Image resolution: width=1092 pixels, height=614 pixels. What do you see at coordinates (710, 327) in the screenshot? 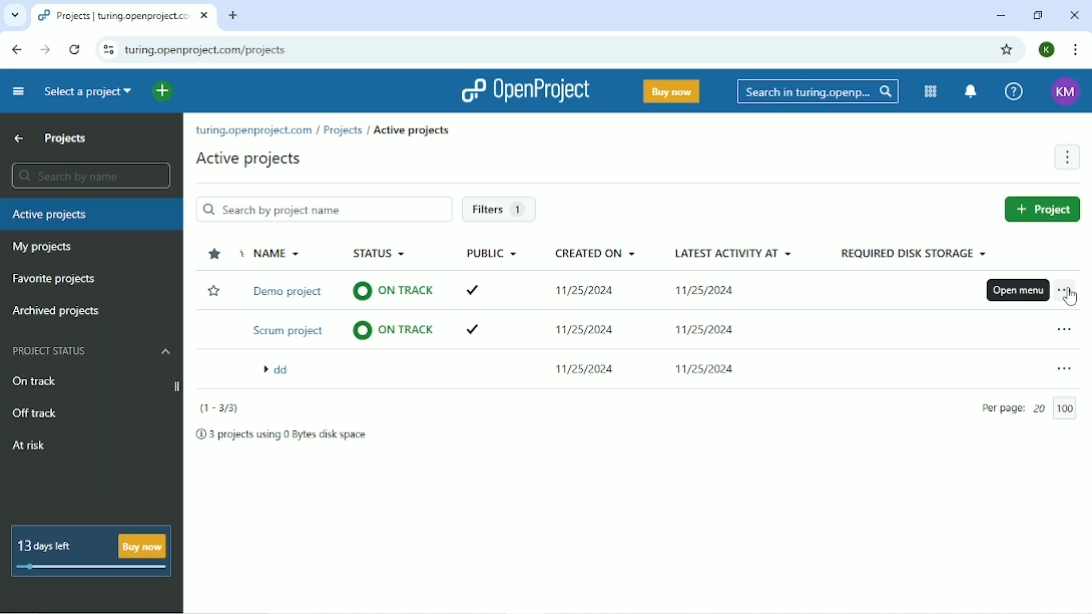
I see `11/25/2024` at bounding box center [710, 327].